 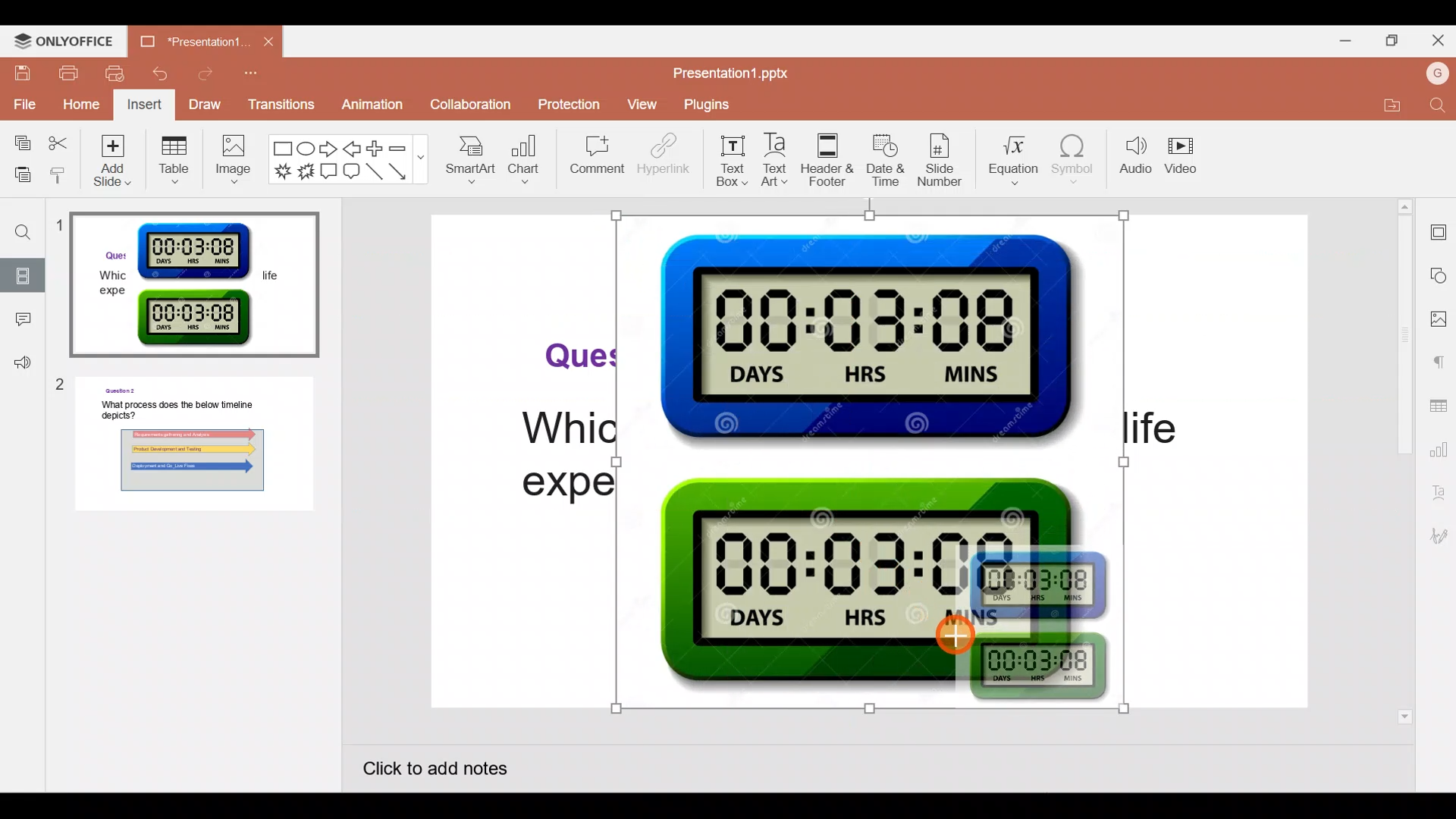 What do you see at coordinates (659, 158) in the screenshot?
I see `Hyperlink` at bounding box center [659, 158].